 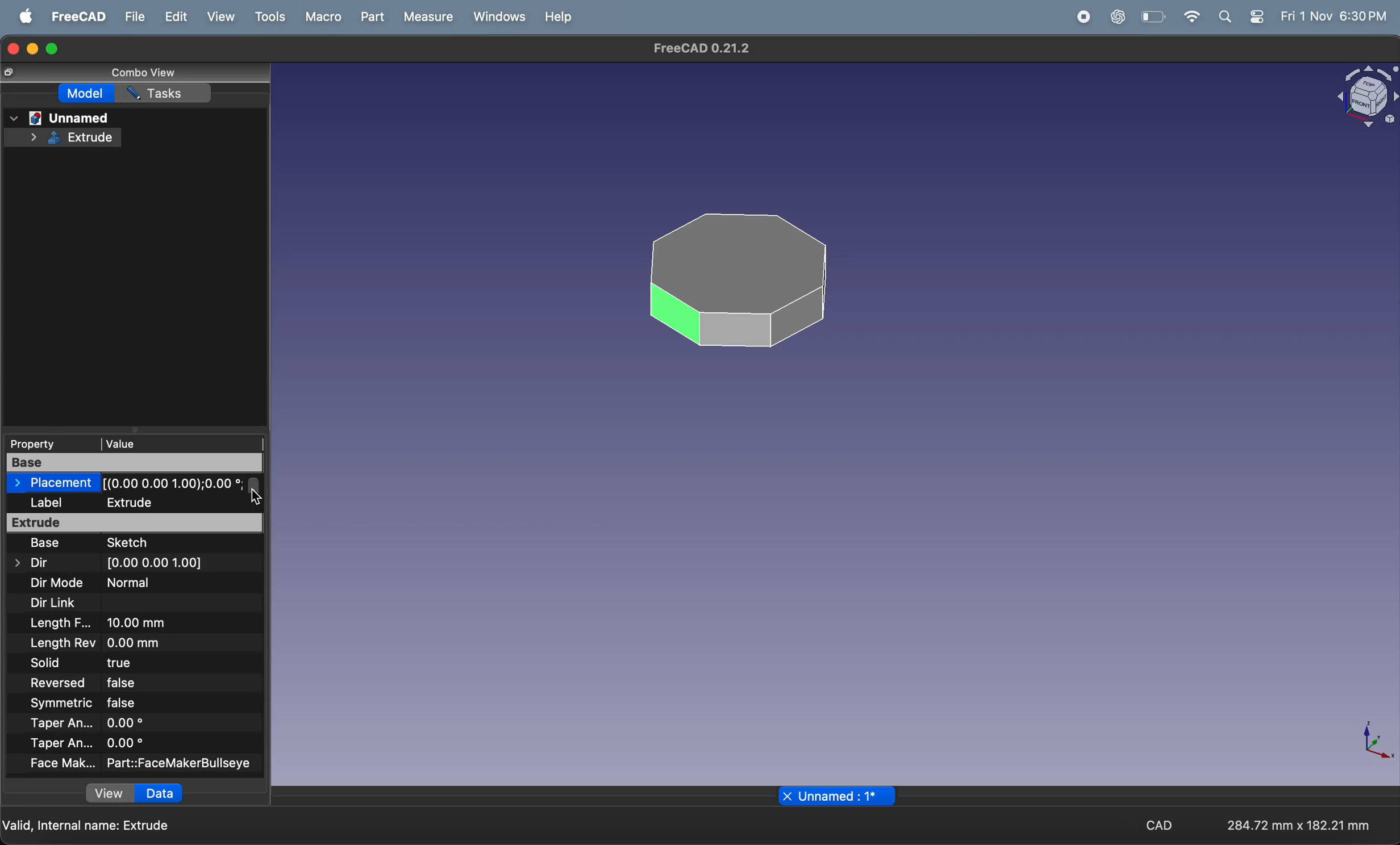 I want to click on 284.72 mm x 182.21 mm, so click(x=1294, y=823).